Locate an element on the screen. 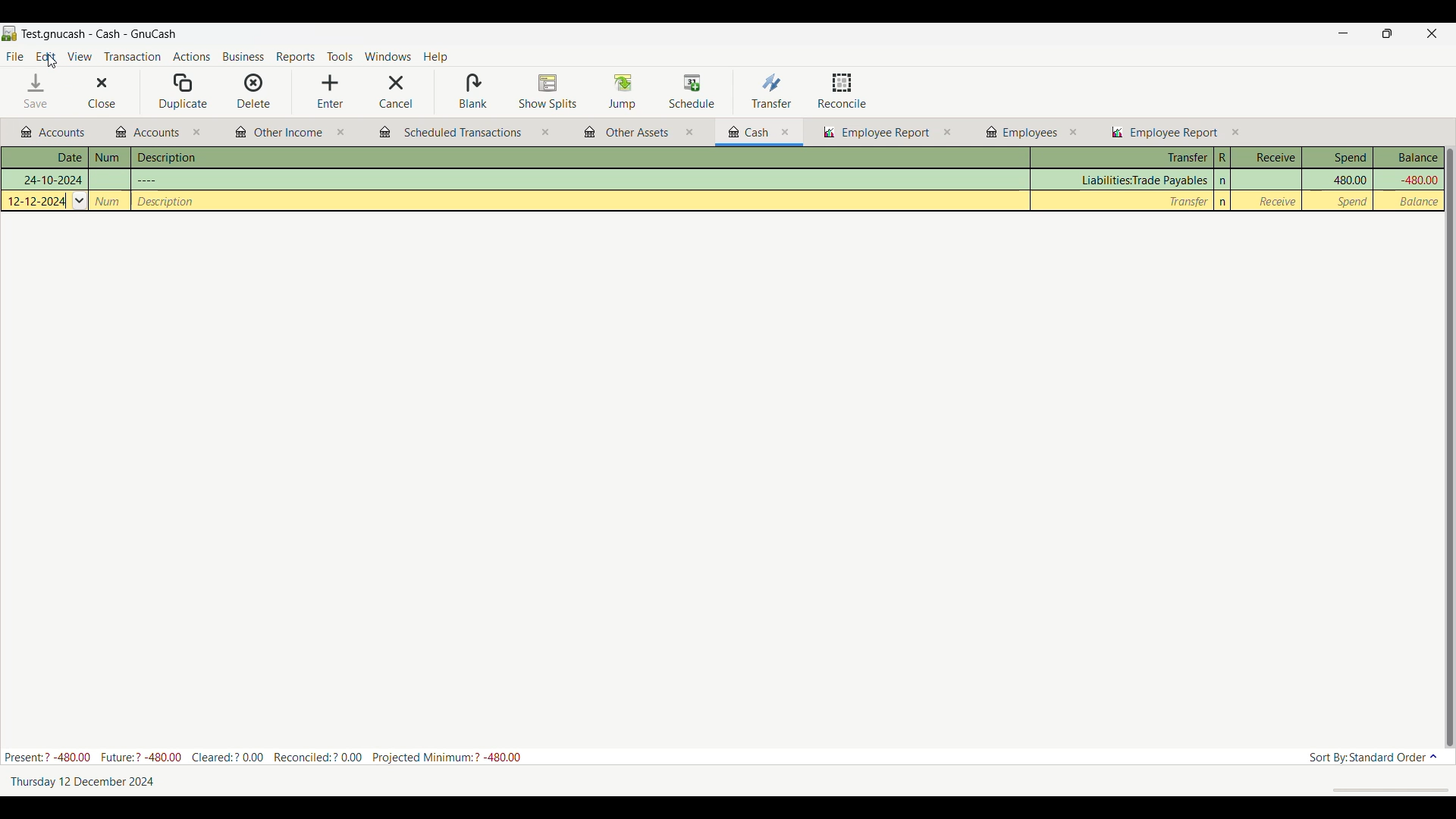   is located at coordinates (148, 179).